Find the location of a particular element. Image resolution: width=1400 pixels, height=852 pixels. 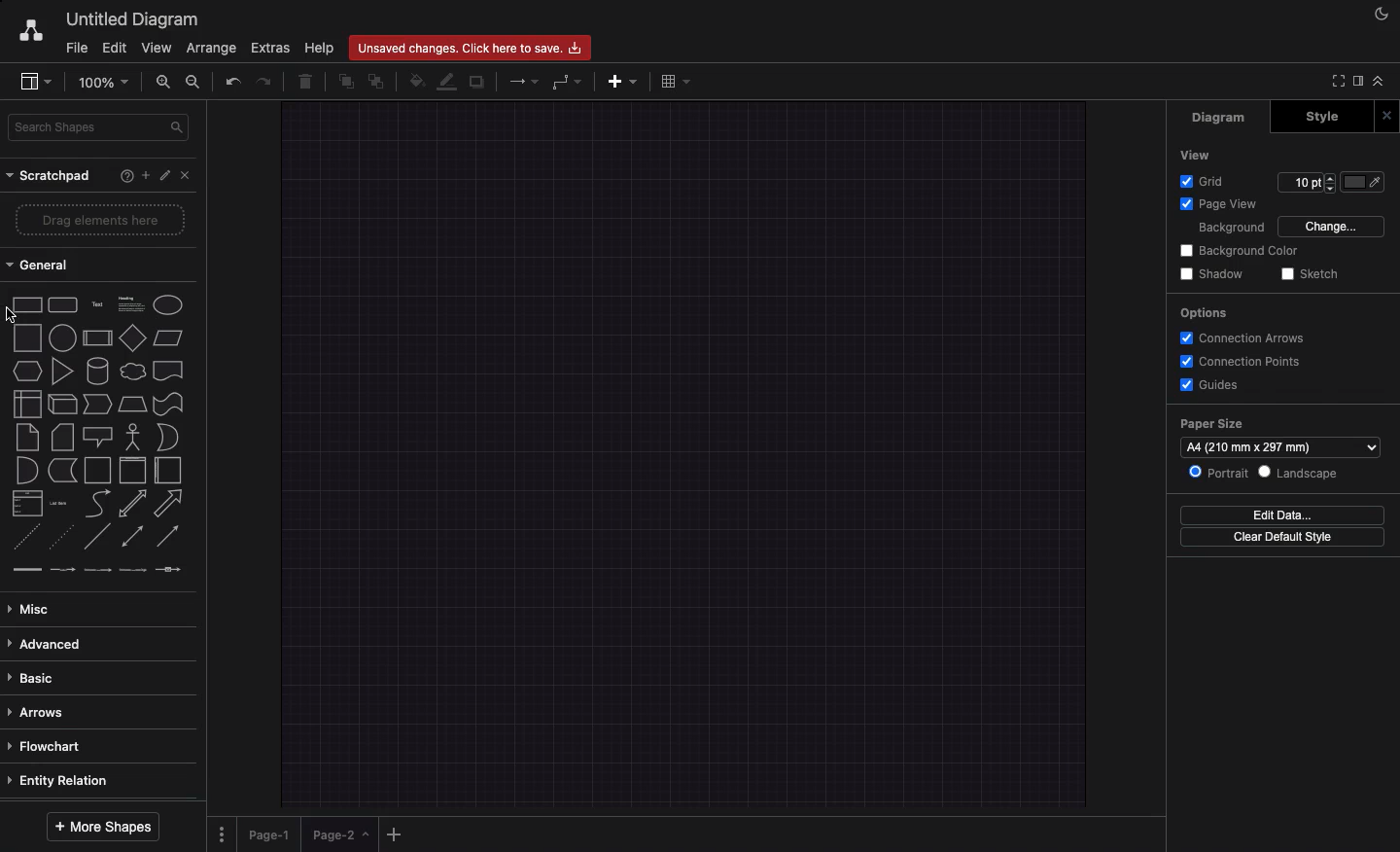

Connection arrows is located at coordinates (1244, 338).